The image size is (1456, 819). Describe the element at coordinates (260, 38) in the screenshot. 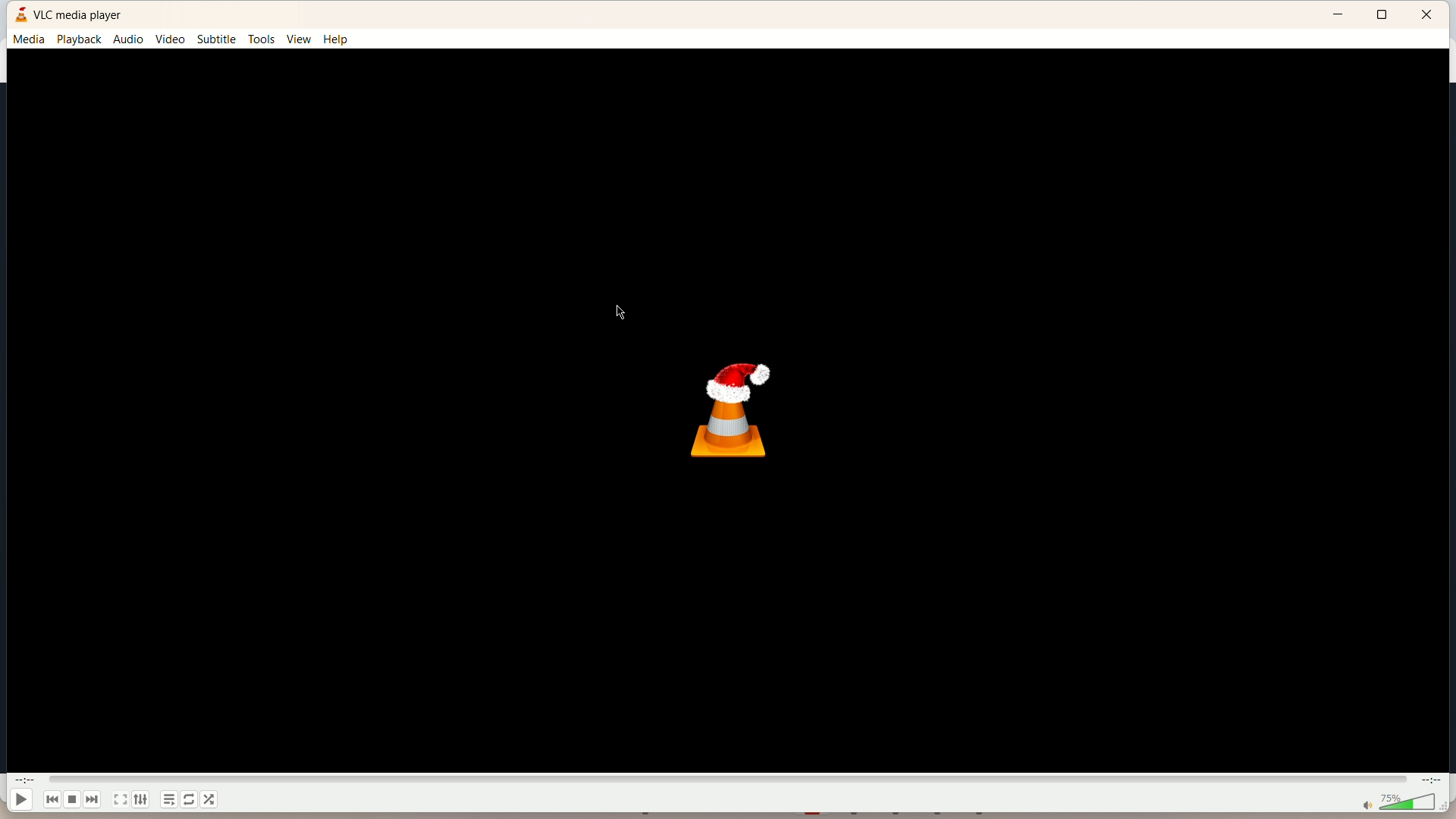

I see `tools` at that location.